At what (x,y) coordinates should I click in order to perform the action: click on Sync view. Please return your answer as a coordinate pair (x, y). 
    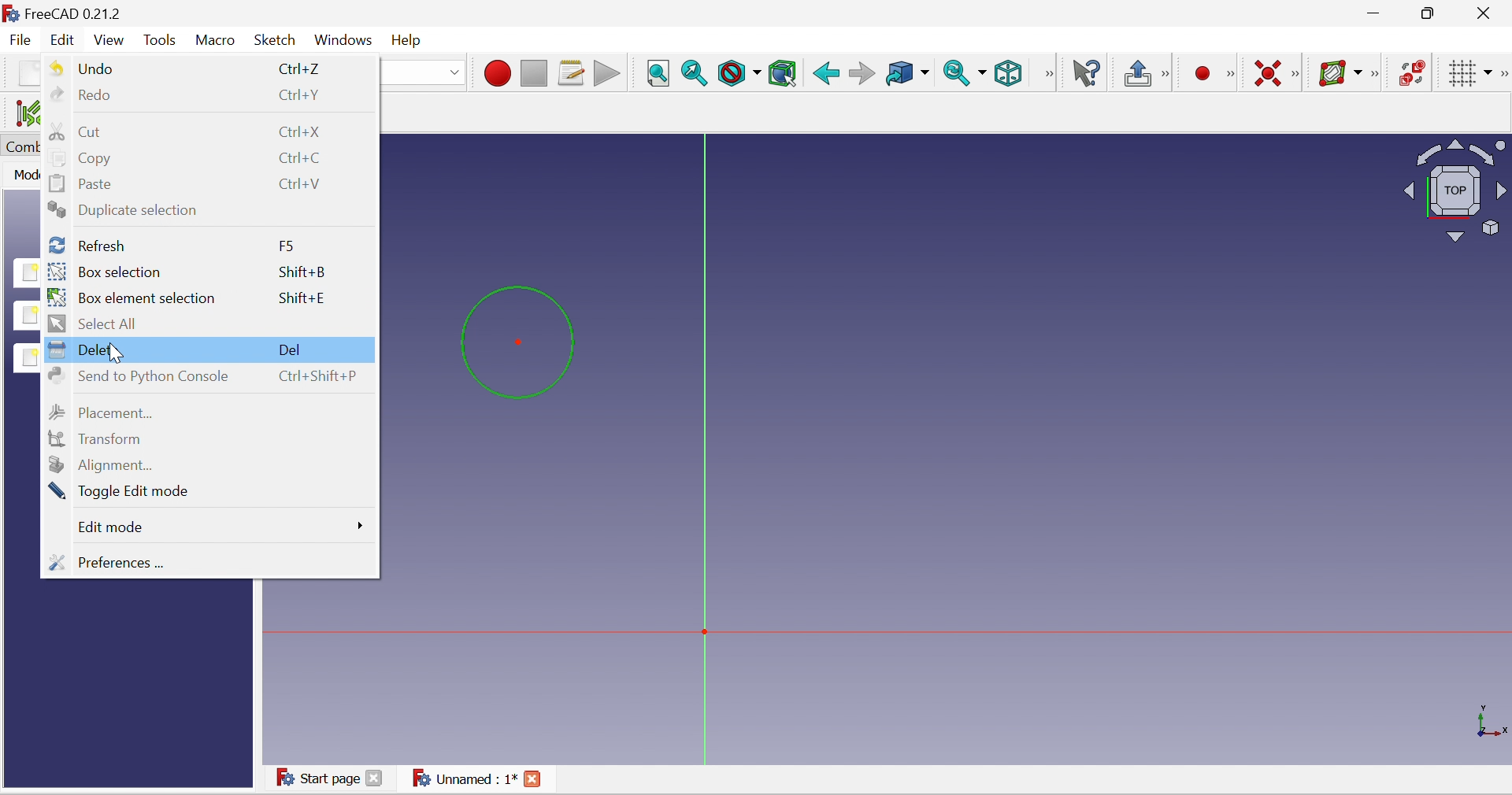
    Looking at the image, I should click on (962, 74).